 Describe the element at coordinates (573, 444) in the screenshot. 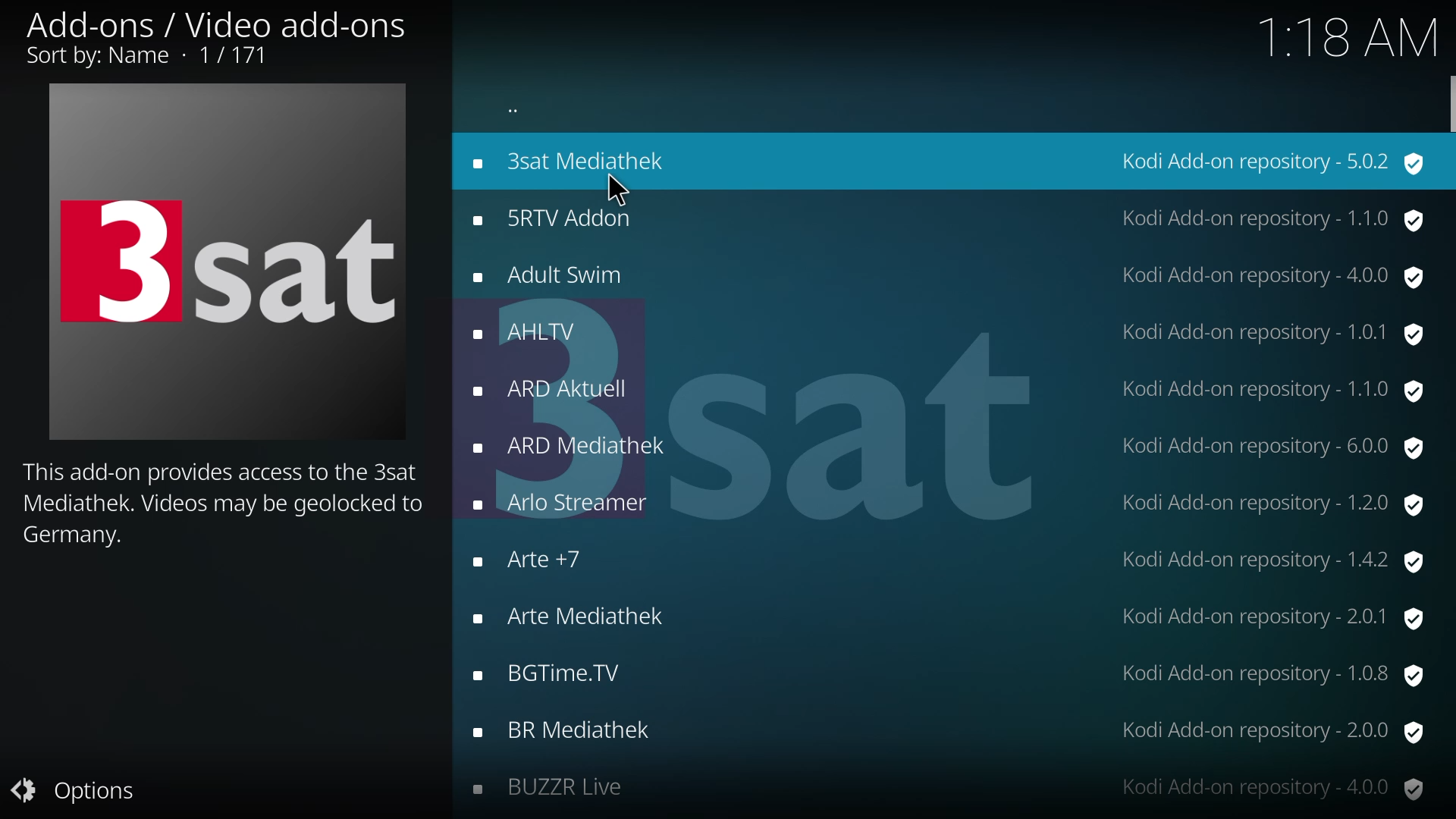

I see `add-ons` at that location.